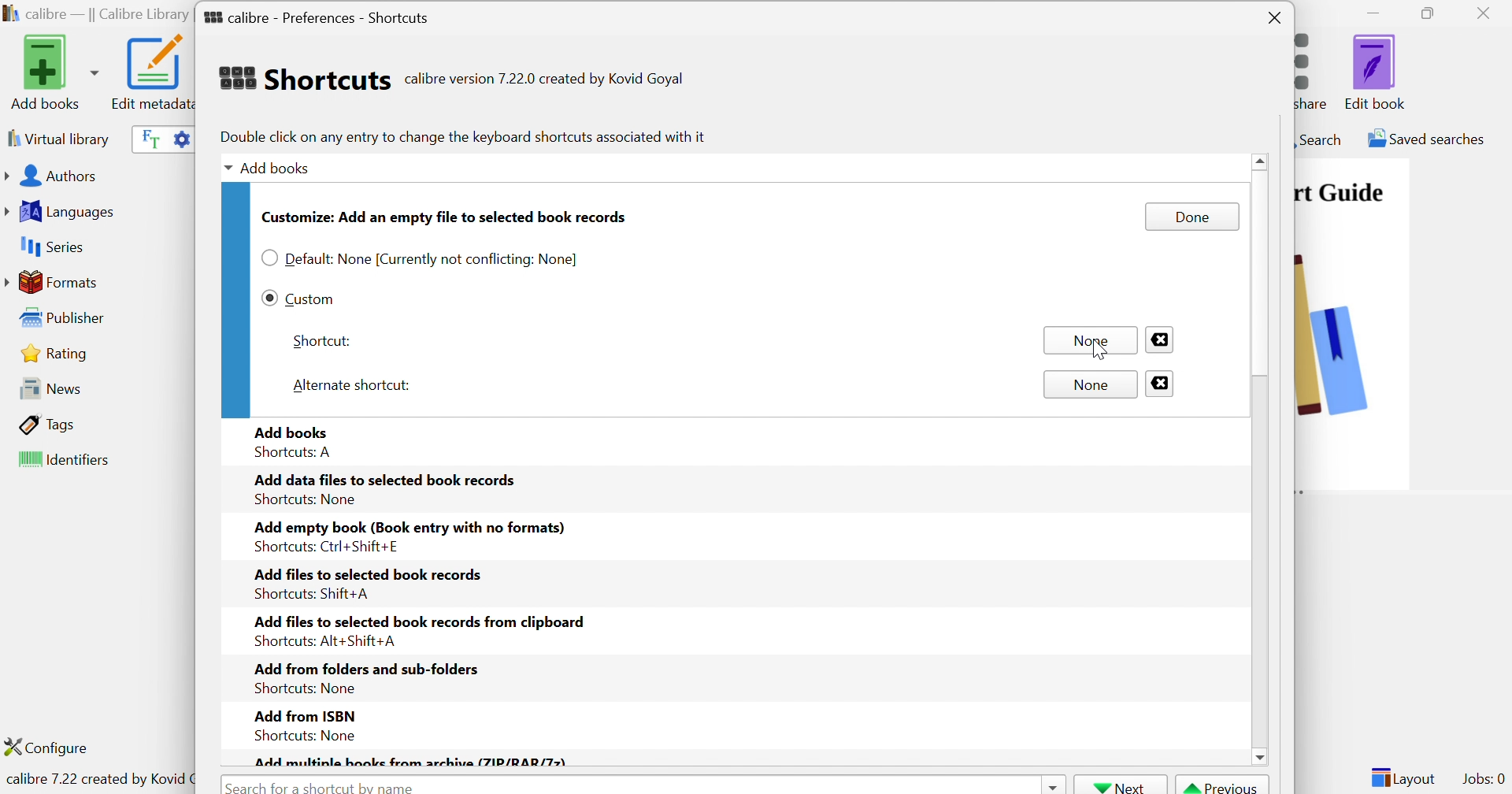  Describe the element at coordinates (1086, 340) in the screenshot. I see `None` at that location.